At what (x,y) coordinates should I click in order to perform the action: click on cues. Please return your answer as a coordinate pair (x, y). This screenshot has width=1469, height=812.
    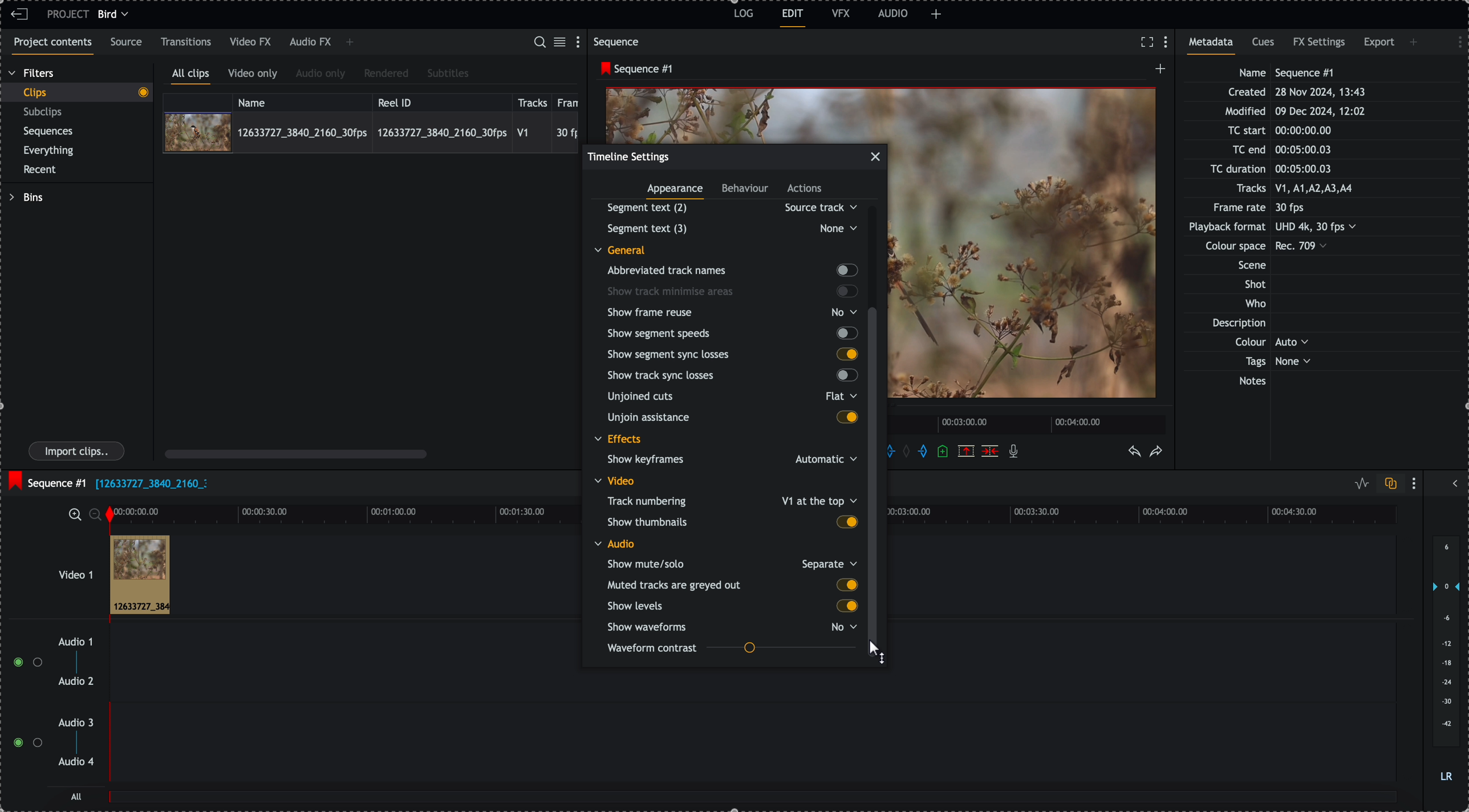
    Looking at the image, I should click on (1264, 46).